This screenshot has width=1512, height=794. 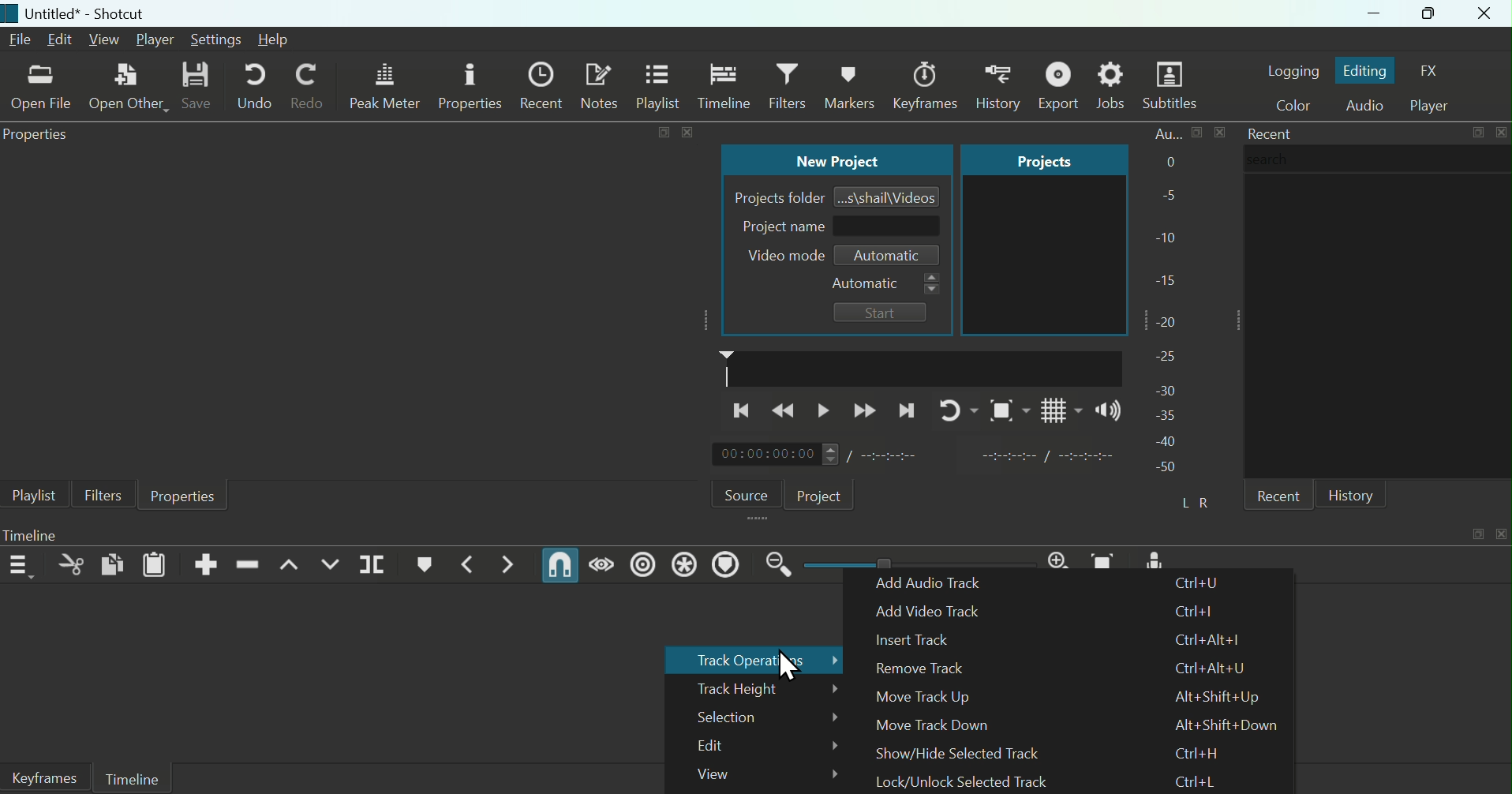 What do you see at coordinates (1162, 133) in the screenshot?
I see `Au...` at bounding box center [1162, 133].